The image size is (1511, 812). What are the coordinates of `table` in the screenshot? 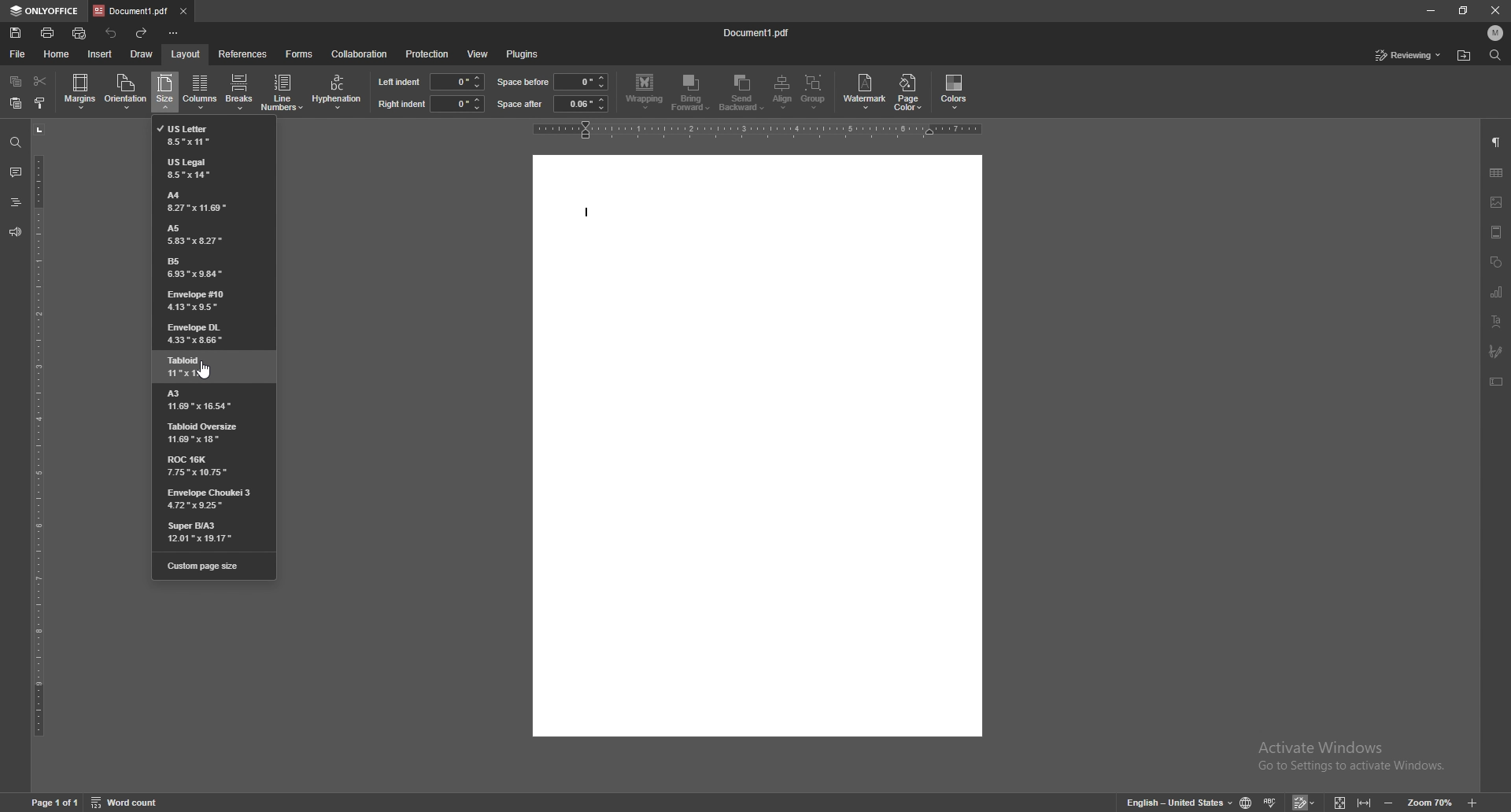 It's located at (1496, 172).